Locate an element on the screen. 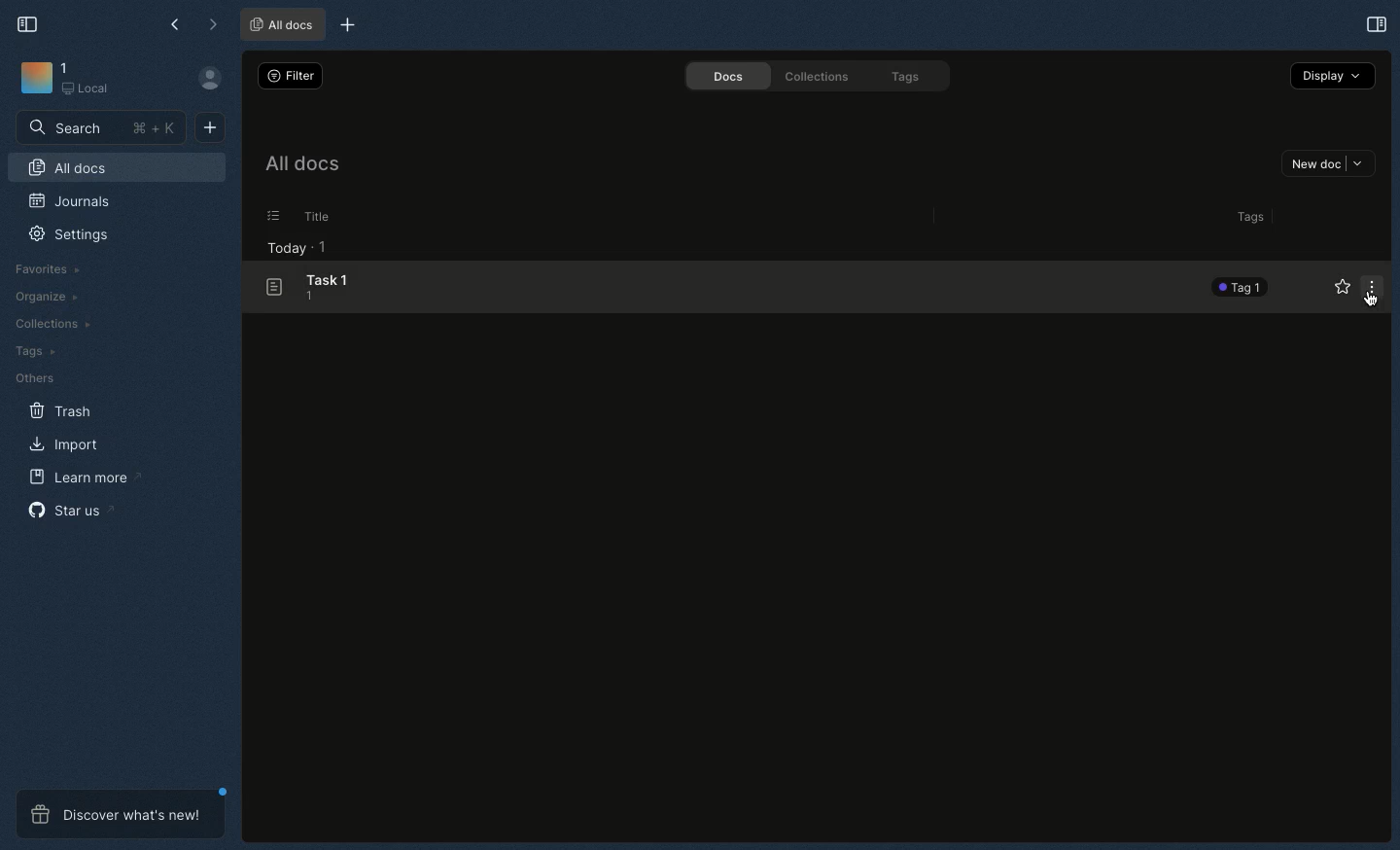 Image resolution: width=1400 pixels, height=850 pixels. Filter is located at coordinates (287, 75).